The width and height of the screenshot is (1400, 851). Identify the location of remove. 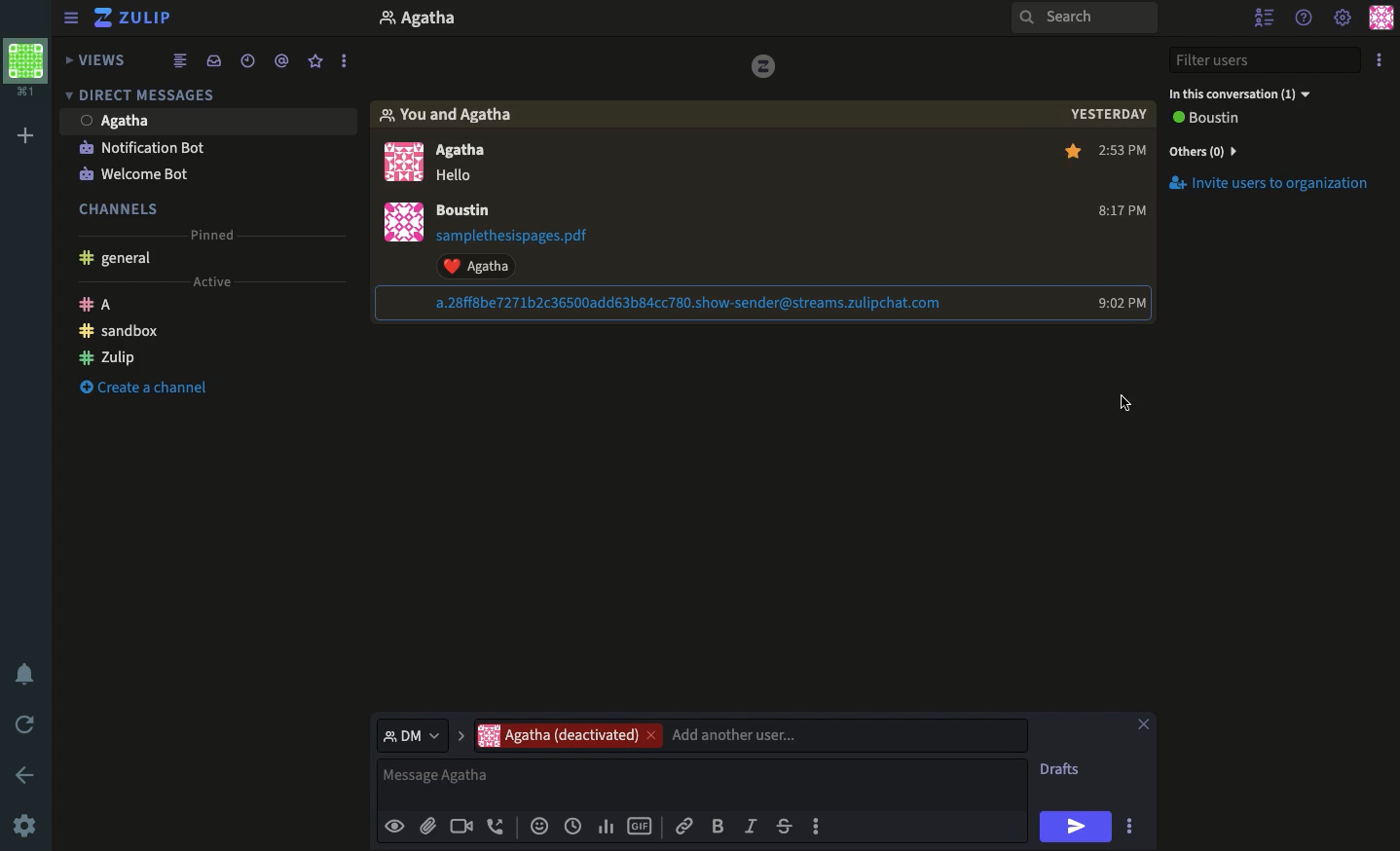
(650, 737).